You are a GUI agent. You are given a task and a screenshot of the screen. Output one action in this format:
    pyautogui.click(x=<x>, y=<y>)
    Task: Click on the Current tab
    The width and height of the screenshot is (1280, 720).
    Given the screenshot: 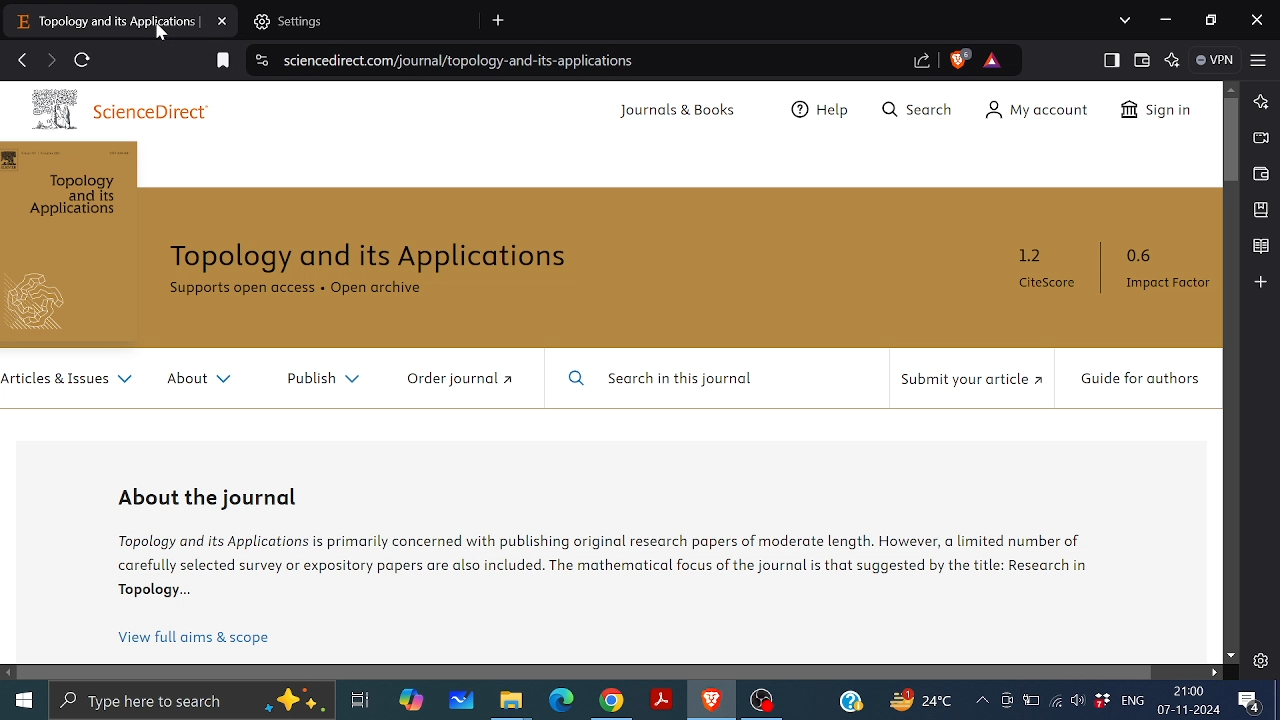 What is the action you would take?
    pyautogui.click(x=104, y=22)
    